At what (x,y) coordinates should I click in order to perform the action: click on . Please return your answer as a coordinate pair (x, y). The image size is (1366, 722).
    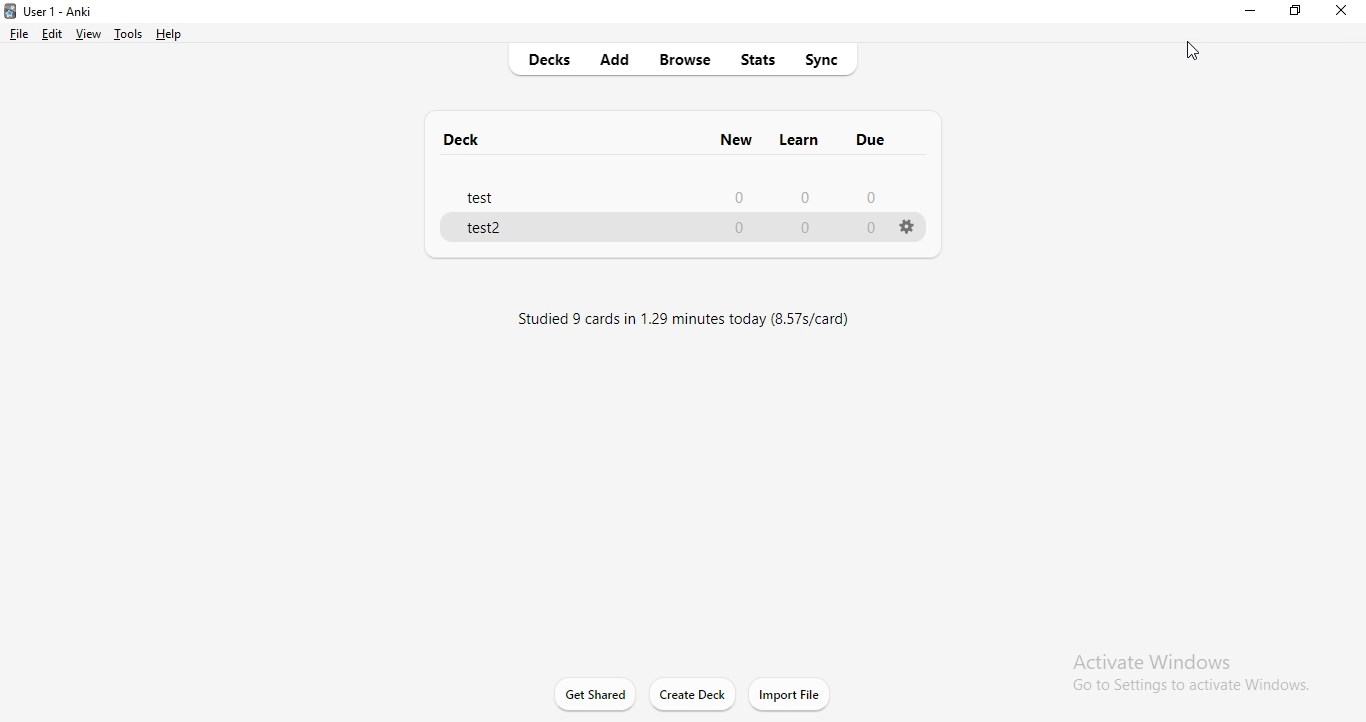
    Looking at the image, I should click on (759, 60).